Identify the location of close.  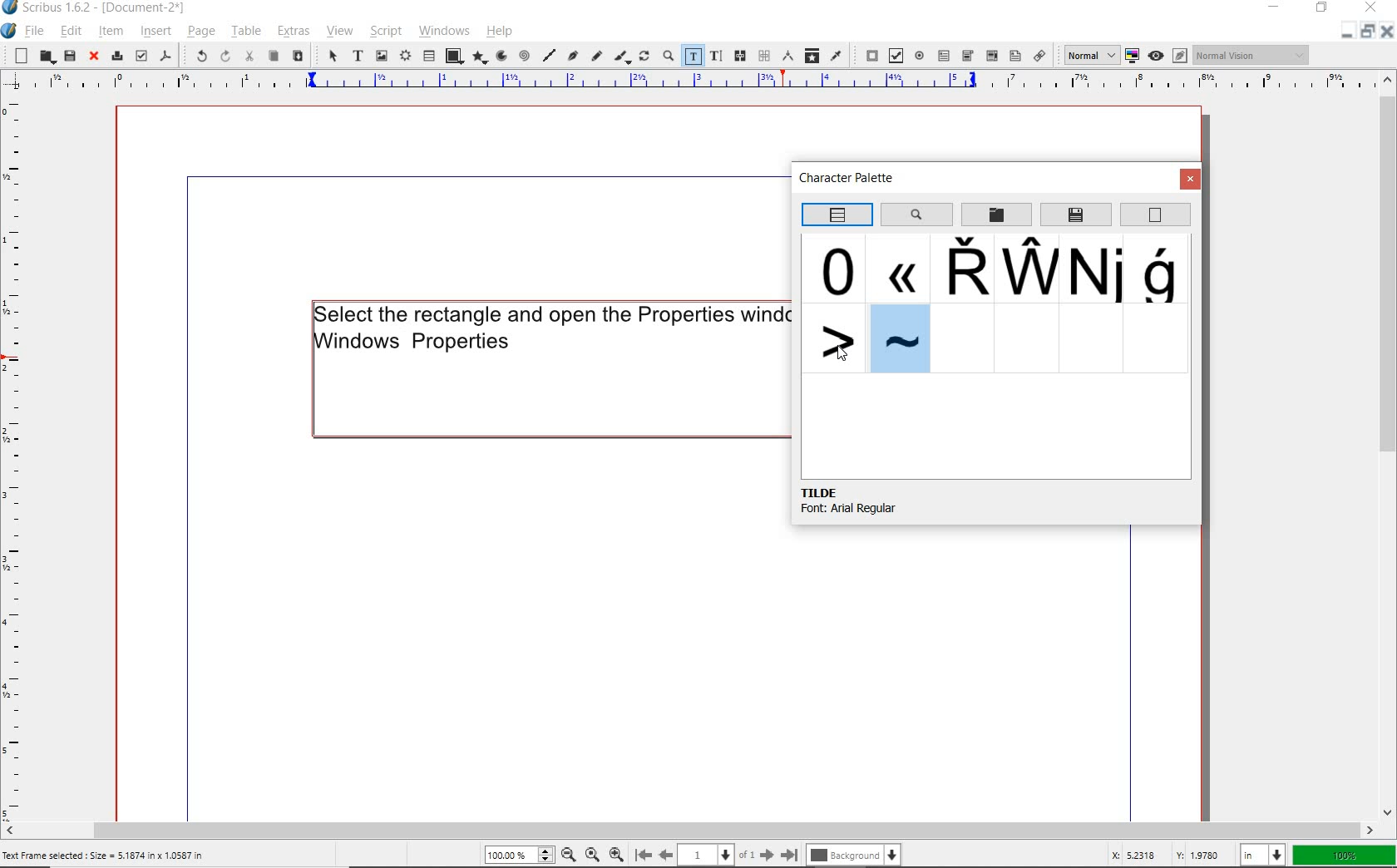
(1191, 180).